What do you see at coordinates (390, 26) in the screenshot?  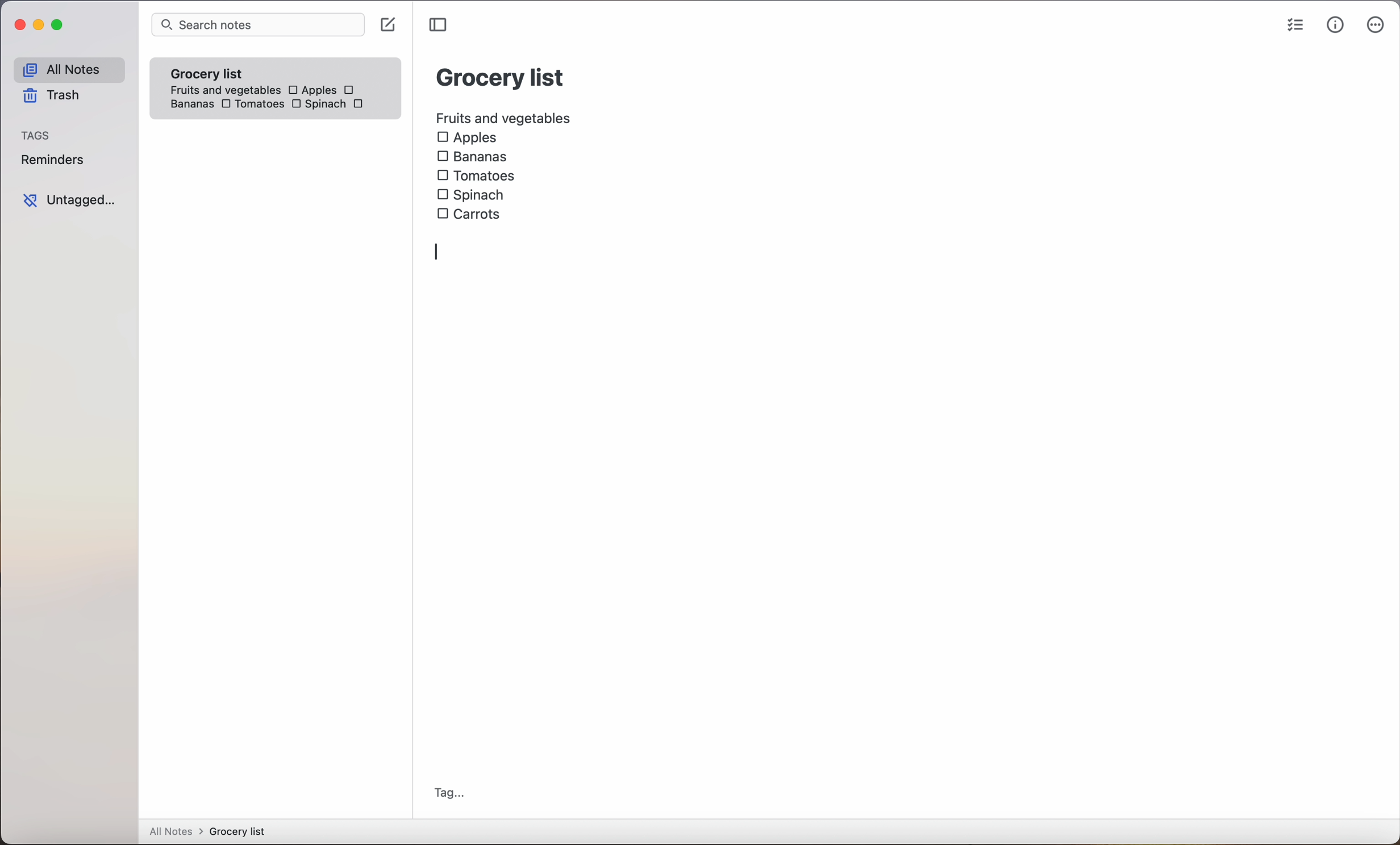 I see `click on create note` at bounding box center [390, 26].